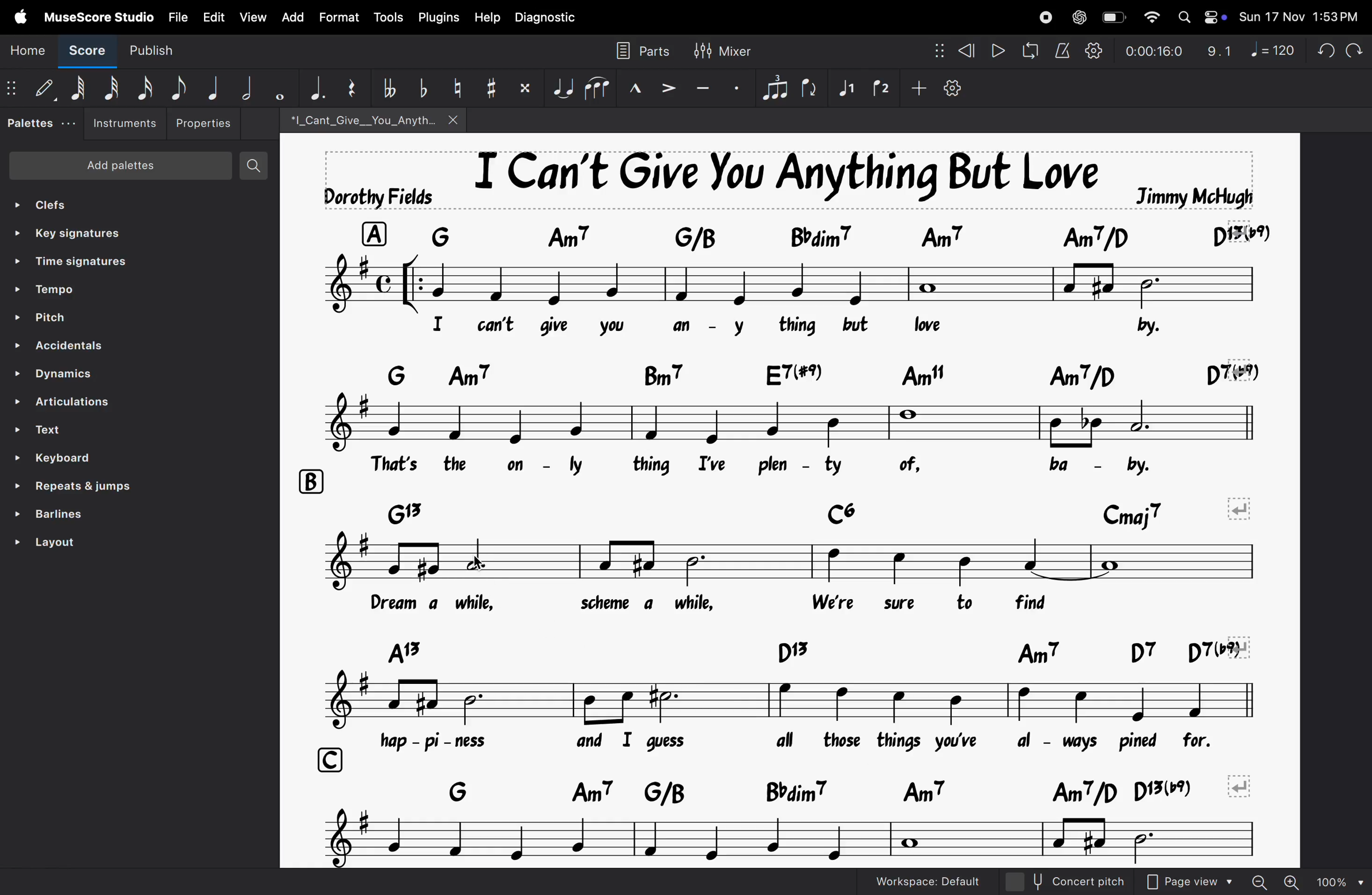 The width and height of the screenshot is (1372, 895). I want to click on key signatures, so click(73, 231).